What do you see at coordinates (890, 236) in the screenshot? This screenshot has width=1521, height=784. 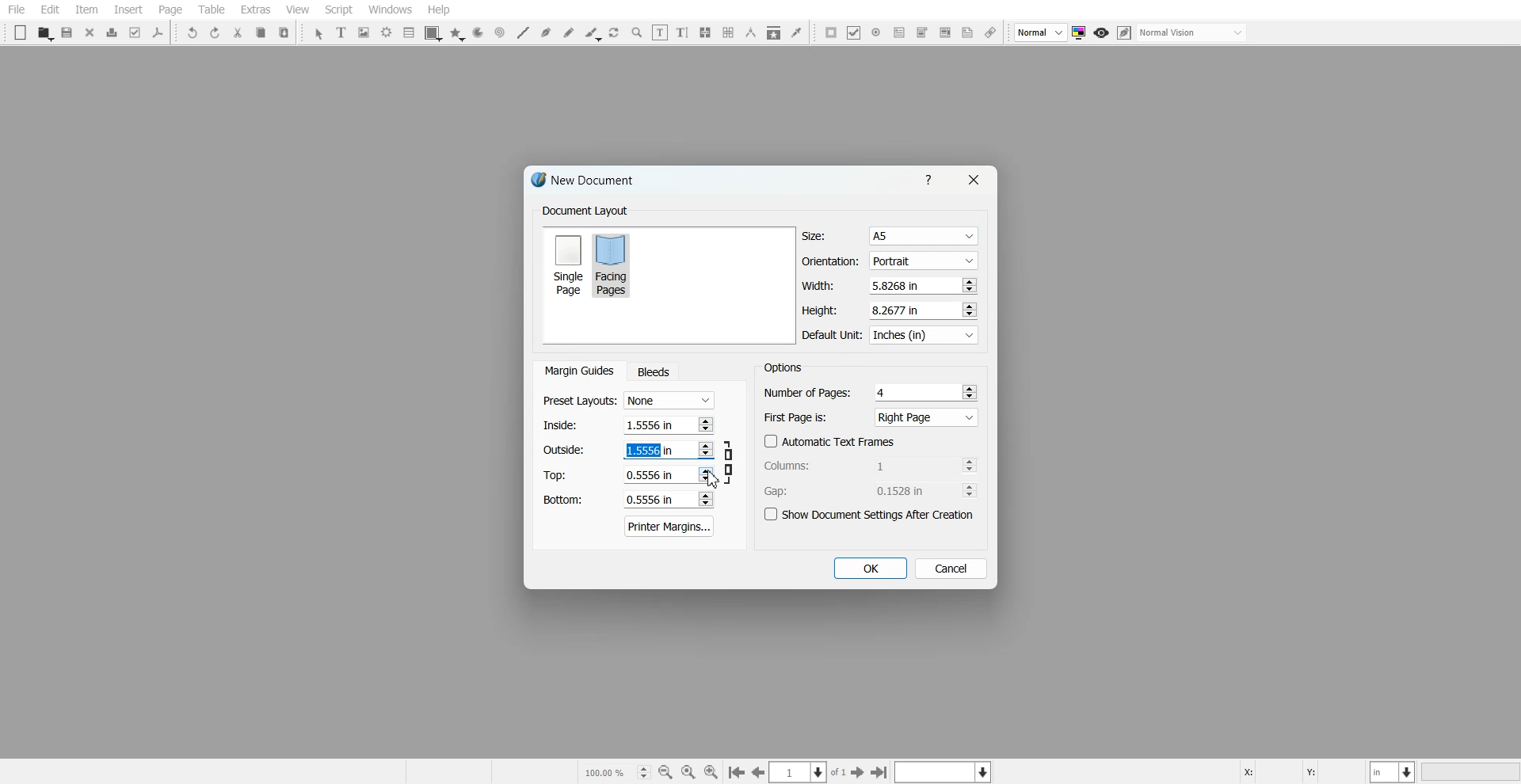 I see `Size` at bounding box center [890, 236].